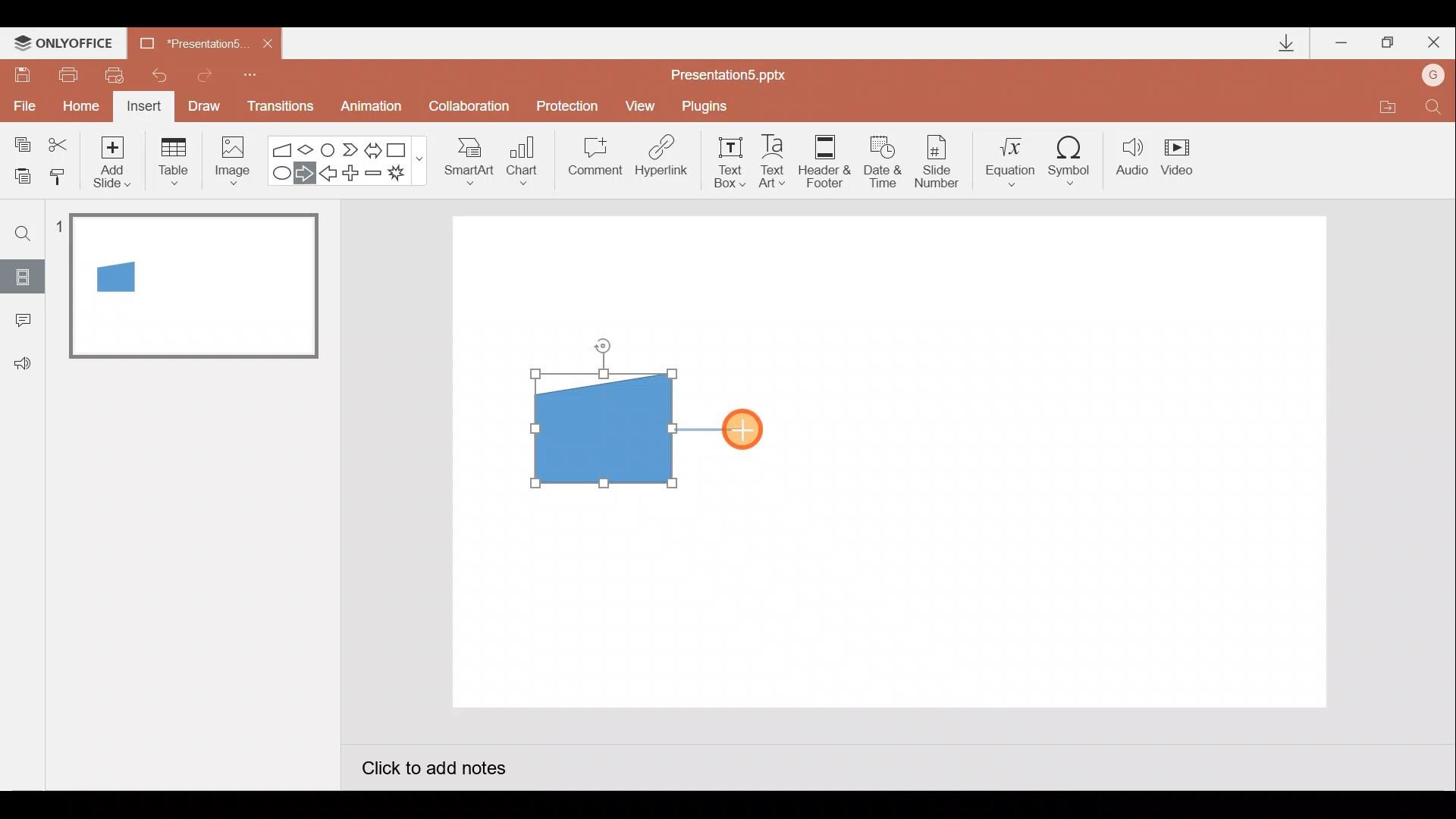 The image size is (1456, 819). I want to click on Account name, so click(1434, 77).